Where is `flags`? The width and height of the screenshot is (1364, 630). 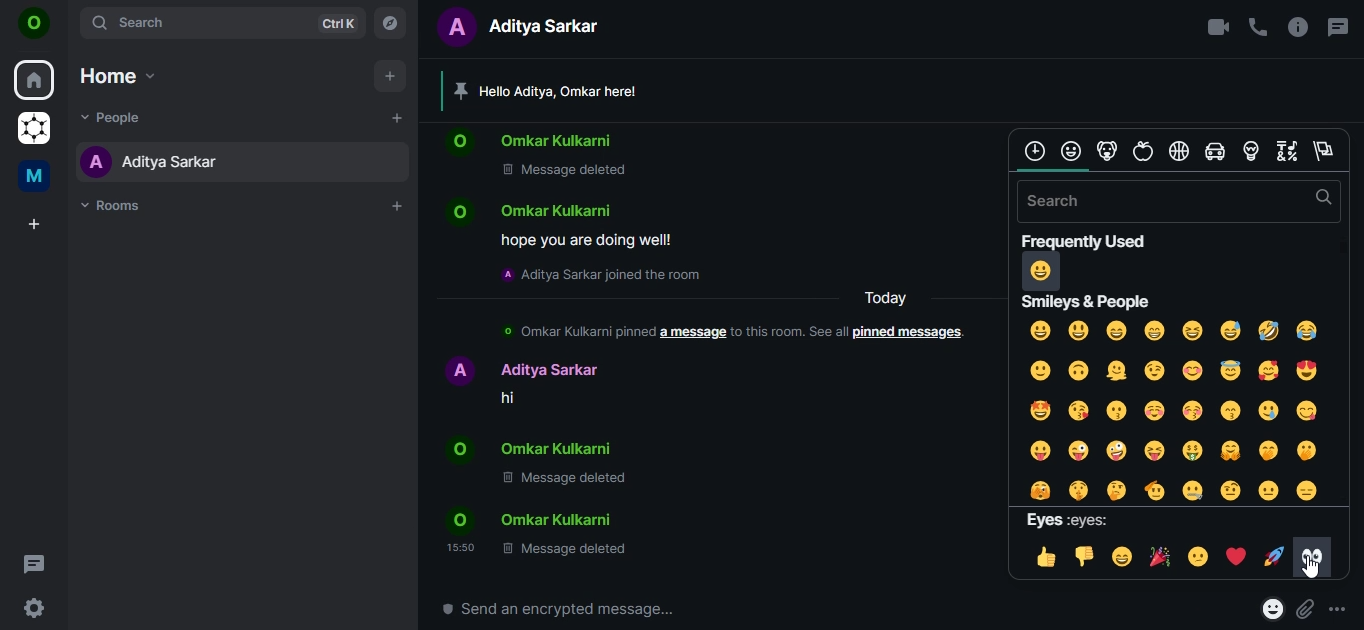 flags is located at coordinates (1323, 153).